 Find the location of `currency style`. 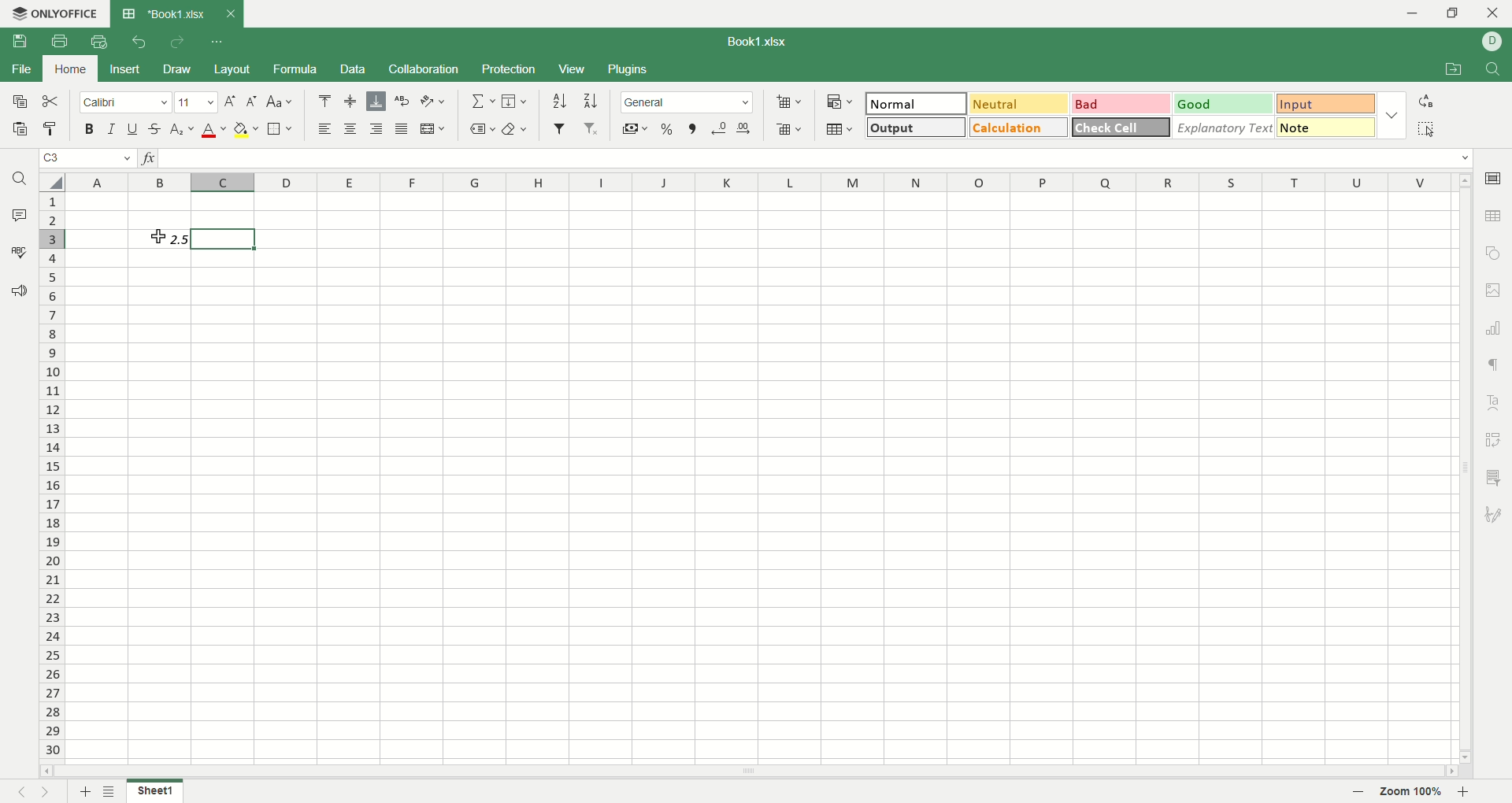

currency style is located at coordinates (636, 130).